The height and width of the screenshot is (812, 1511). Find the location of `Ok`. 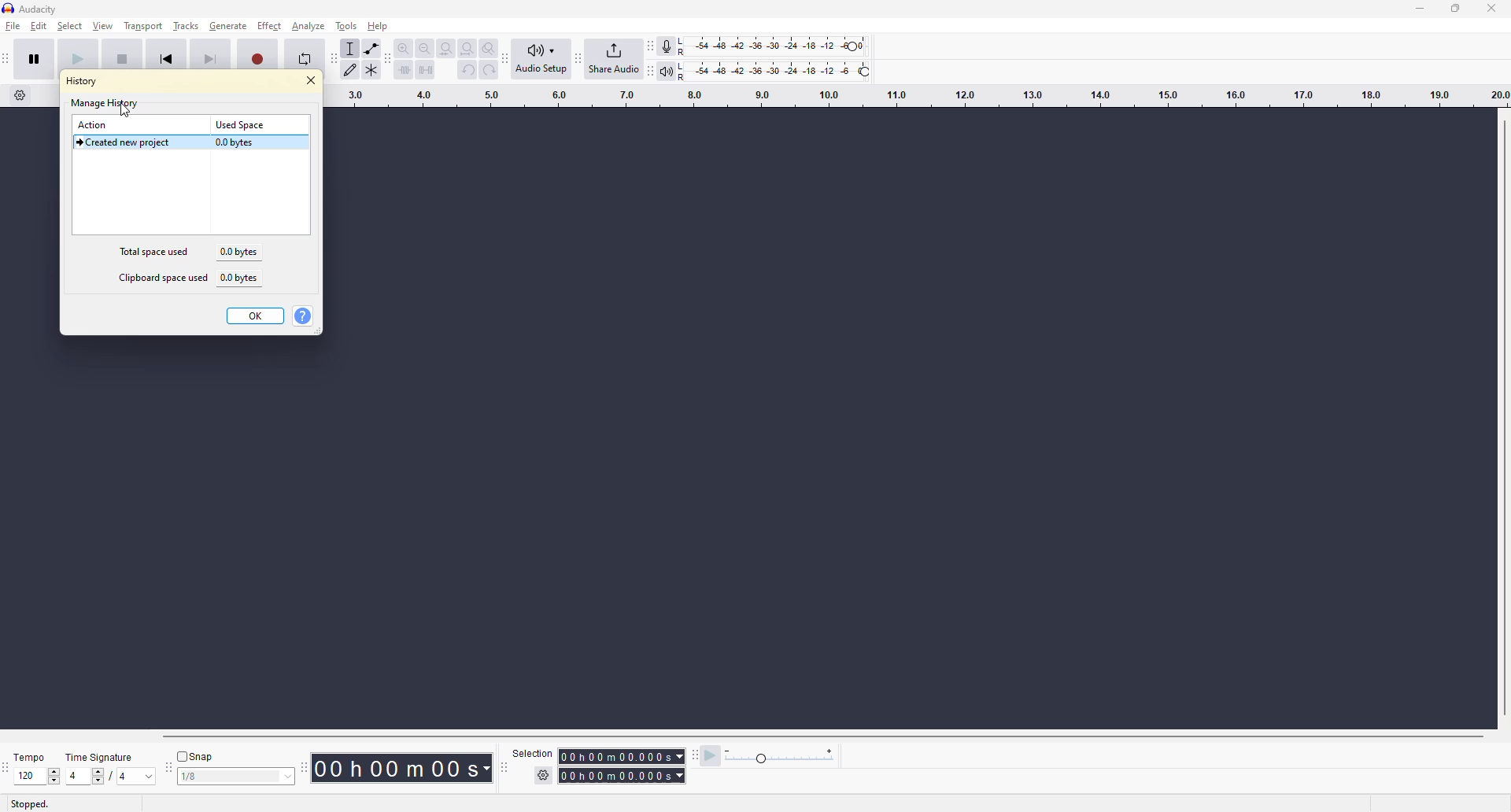

Ok is located at coordinates (256, 316).